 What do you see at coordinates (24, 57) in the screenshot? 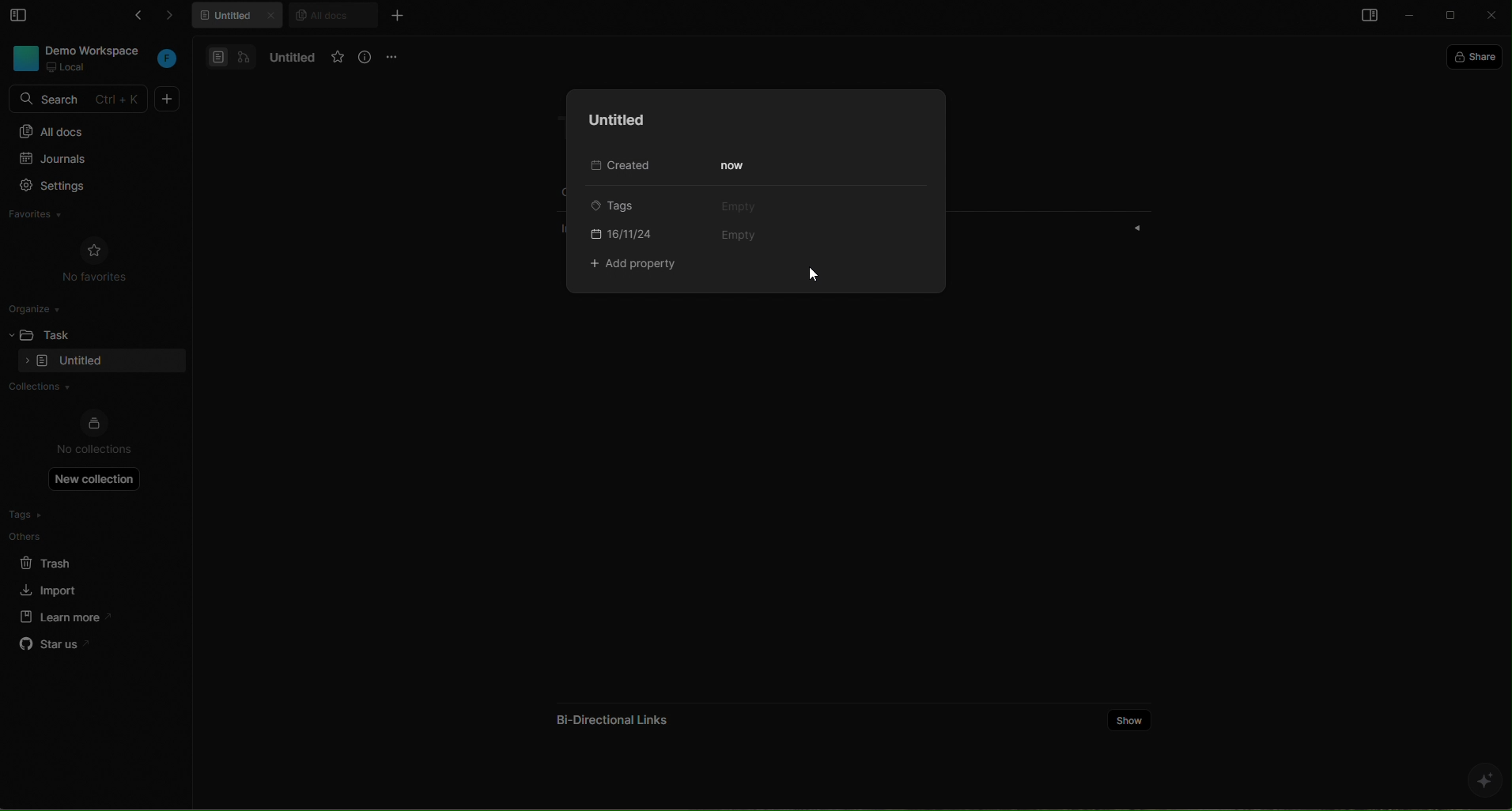
I see `workspace photo` at bounding box center [24, 57].